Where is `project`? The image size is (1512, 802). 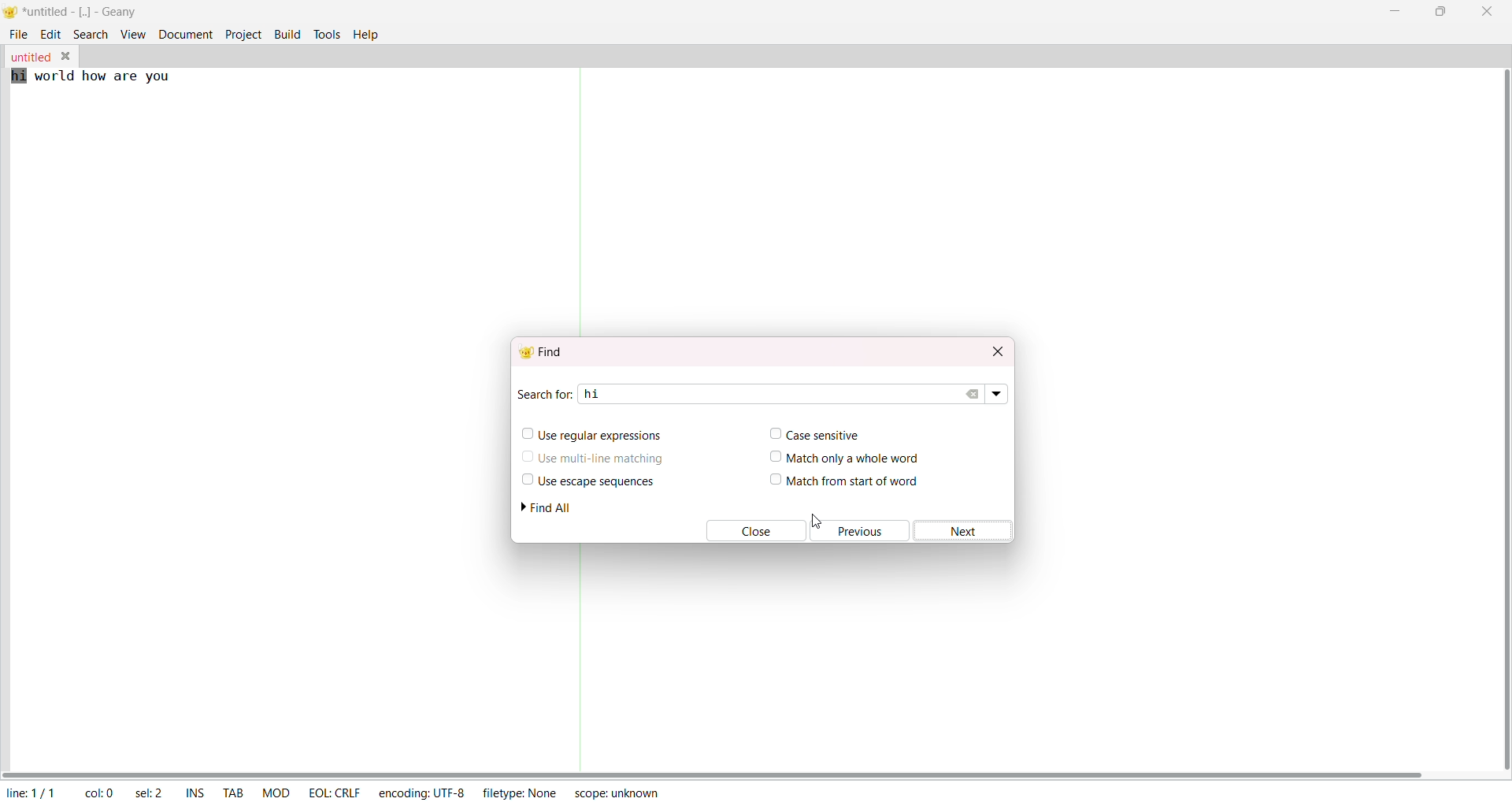 project is located at coordinates (243, 34).